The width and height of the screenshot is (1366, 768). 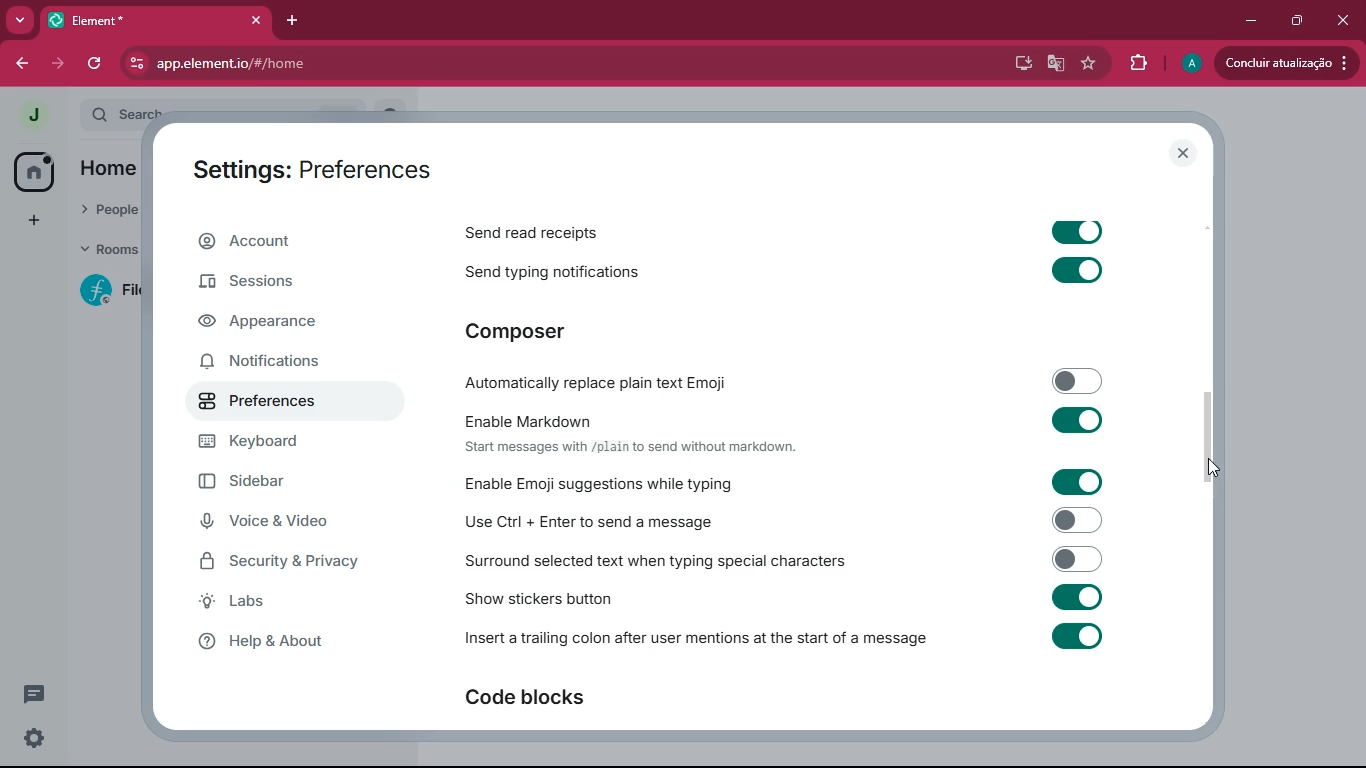 I want to click on back, so click(x=23, y=63).